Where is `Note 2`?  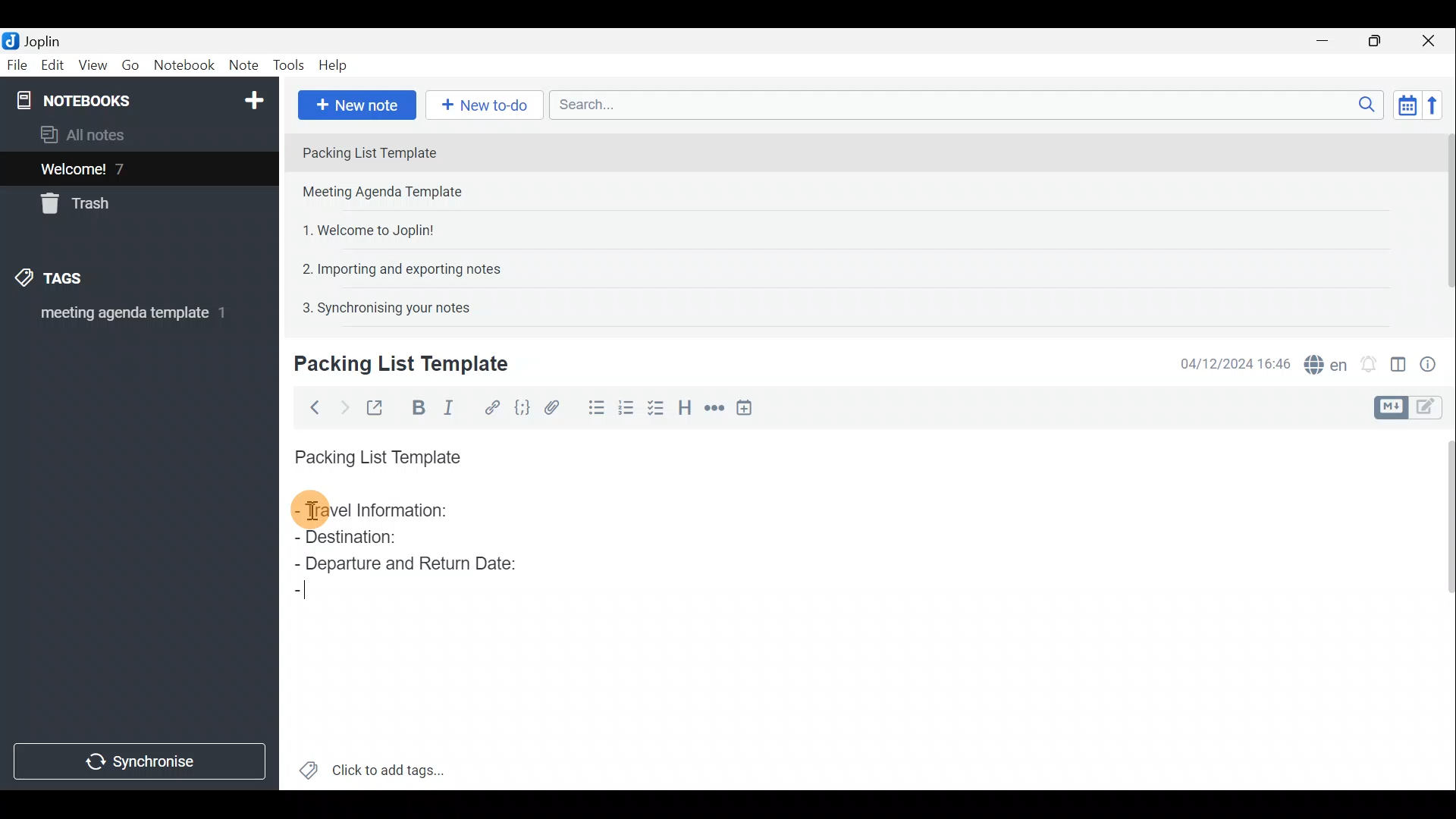
Note 2 is located at coordinates (397, 193).